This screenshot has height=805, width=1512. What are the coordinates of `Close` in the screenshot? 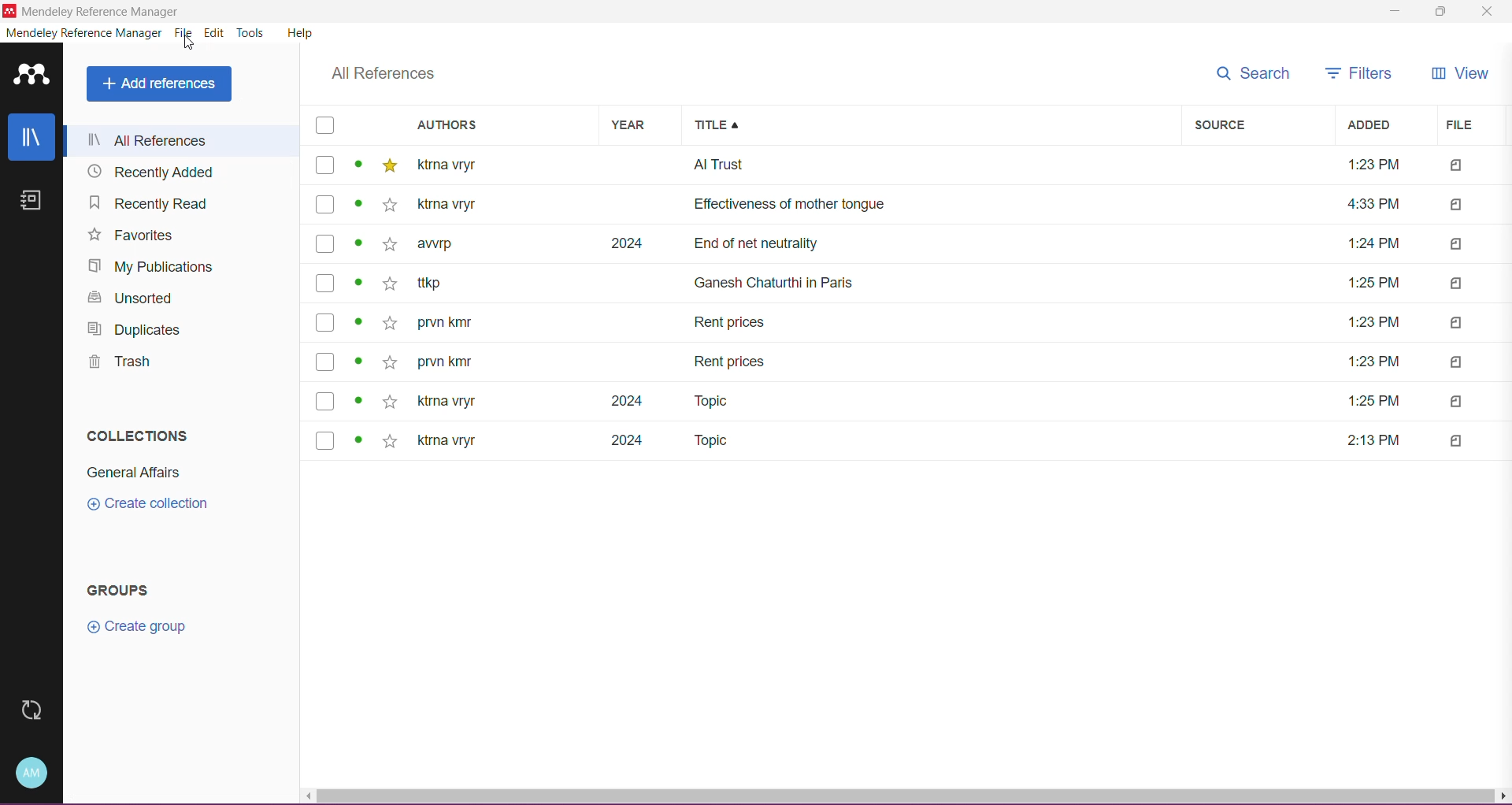 It's located at (1490, 12).